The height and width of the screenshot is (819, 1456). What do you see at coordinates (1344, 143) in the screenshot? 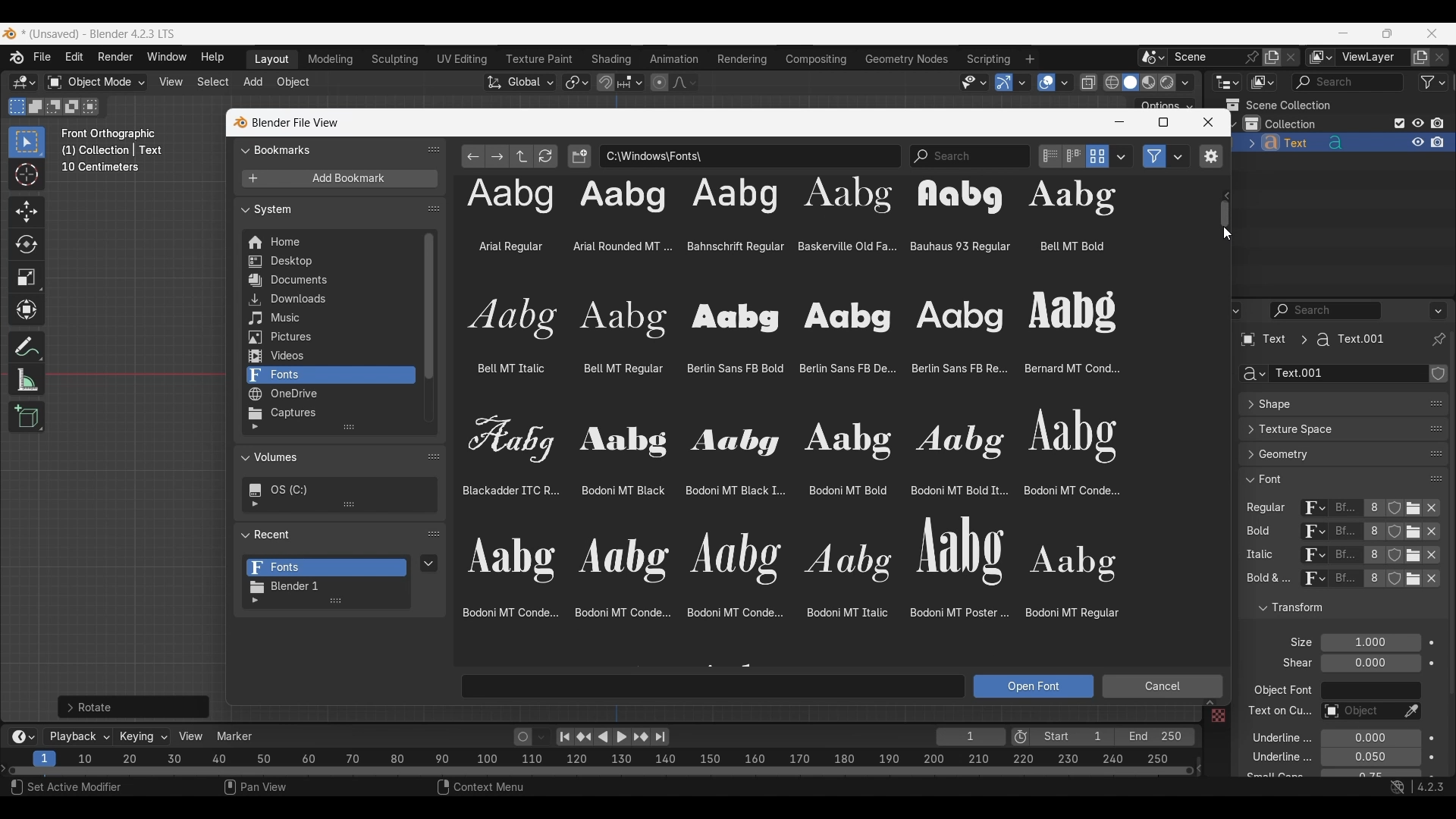
I see `Text object added to collection` at bounding box center [1344, 143].